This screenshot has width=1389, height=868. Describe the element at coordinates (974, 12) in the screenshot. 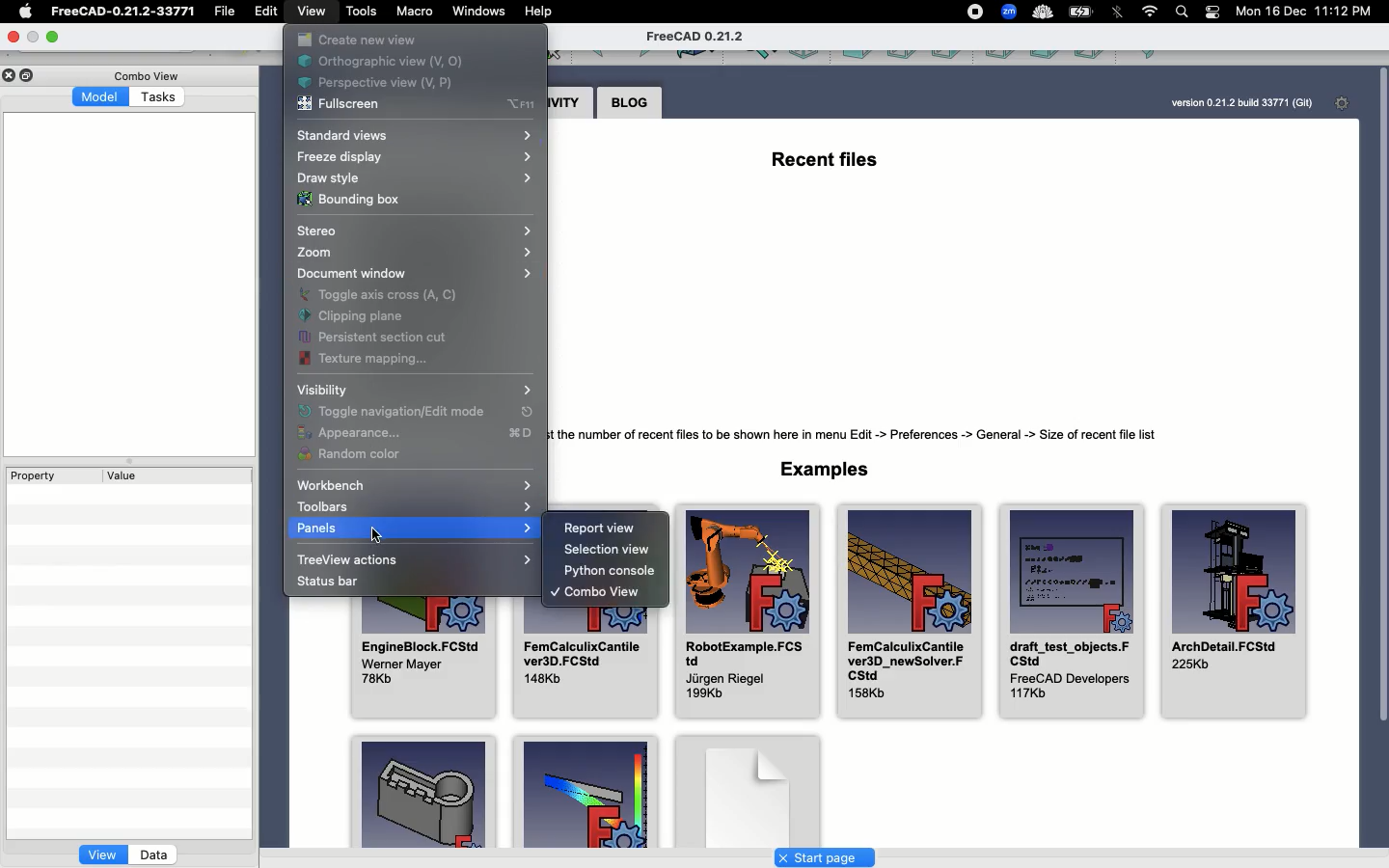

I see `recording` at that location.